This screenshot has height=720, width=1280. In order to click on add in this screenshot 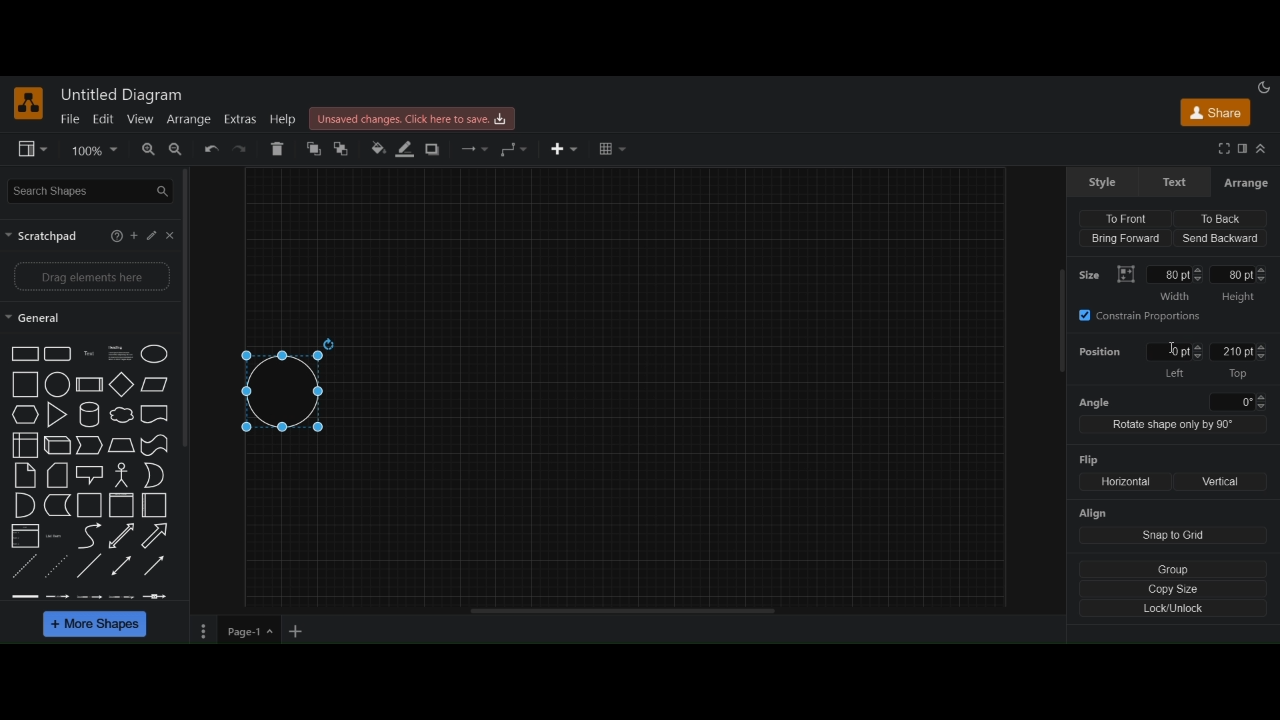, I will do `click(136, 236)`.